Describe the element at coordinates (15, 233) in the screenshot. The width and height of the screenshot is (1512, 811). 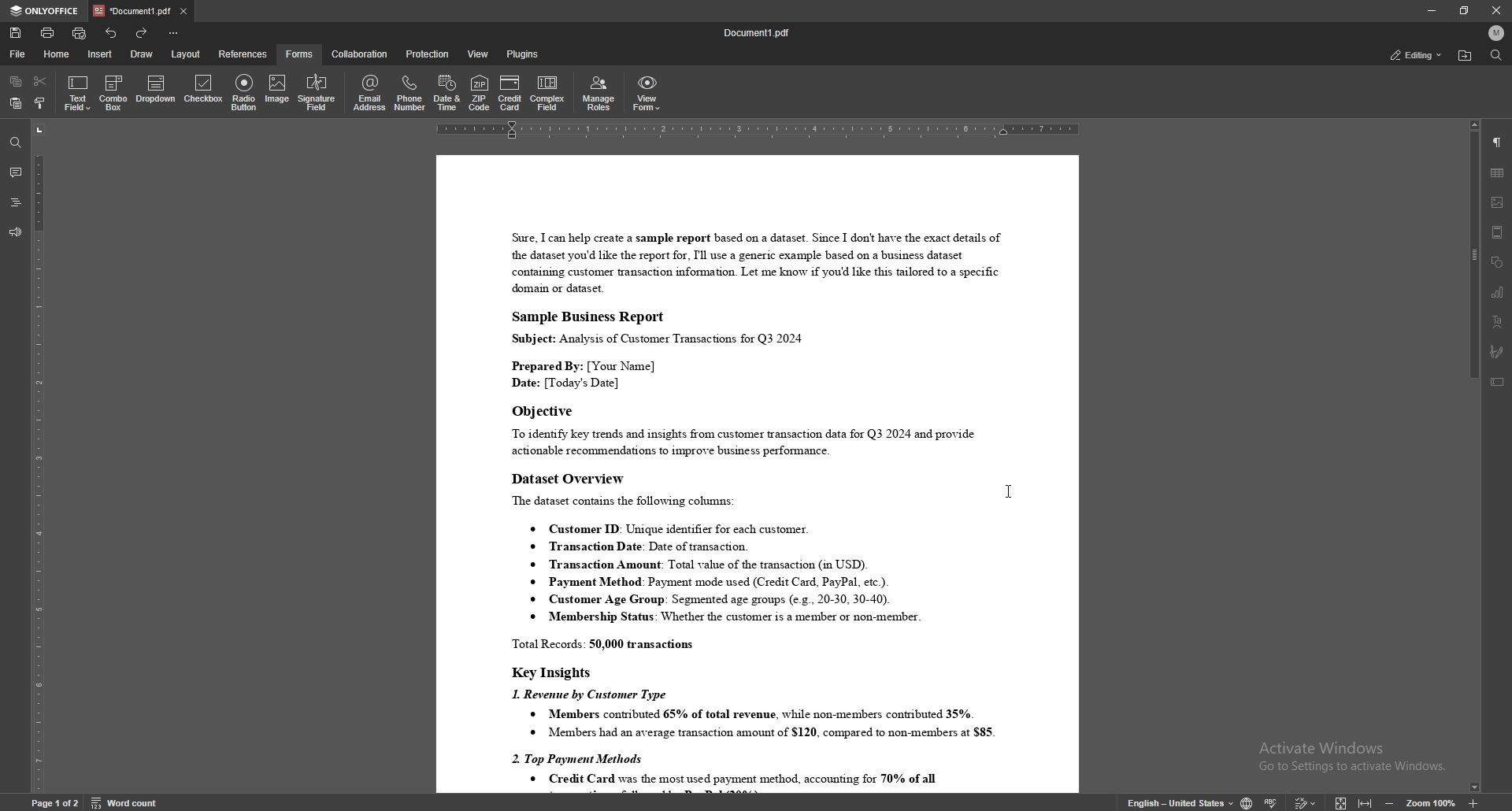
I see `feedback` at that location.